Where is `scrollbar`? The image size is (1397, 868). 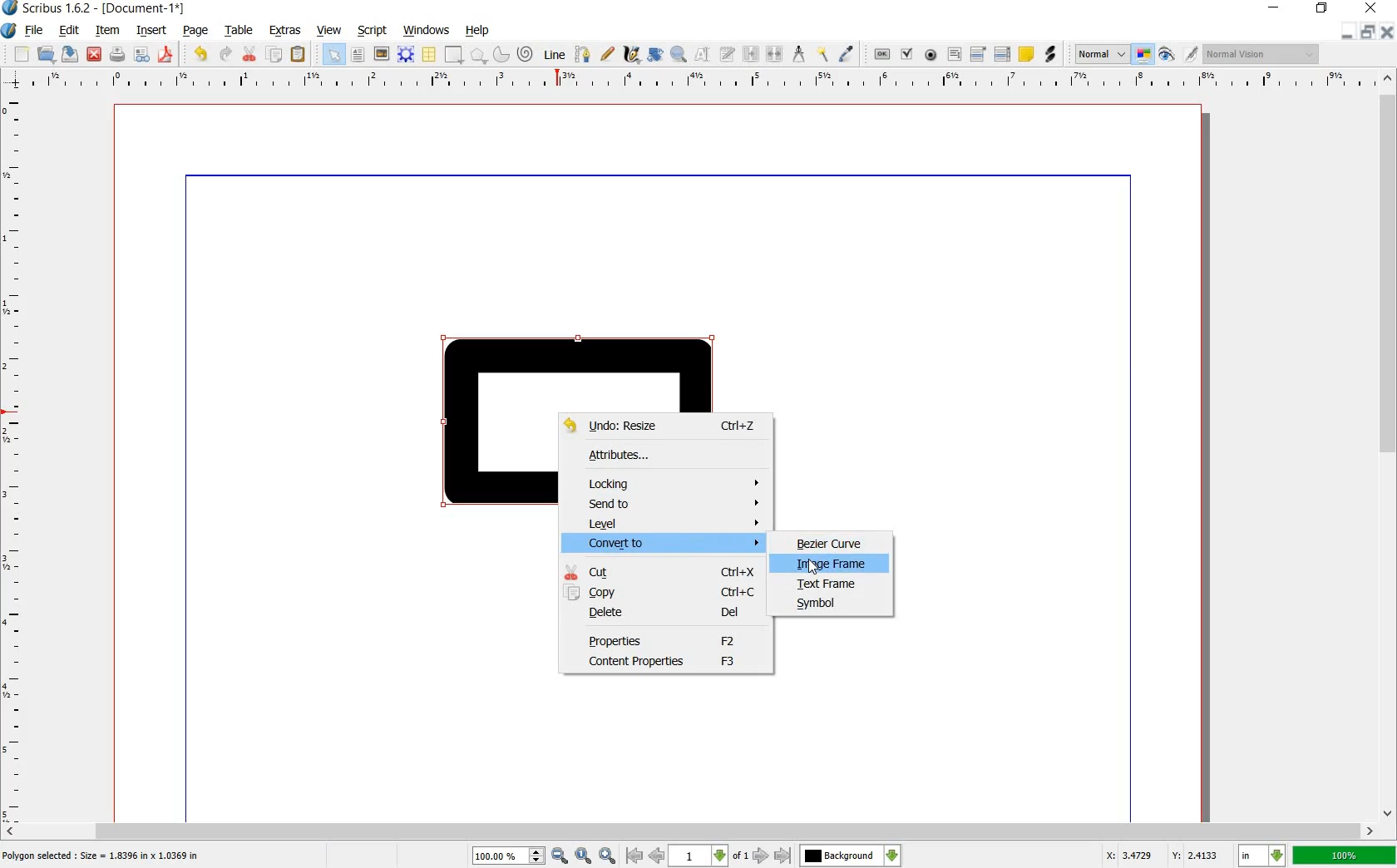
scrollbar is located at coordinates (1389, 447).